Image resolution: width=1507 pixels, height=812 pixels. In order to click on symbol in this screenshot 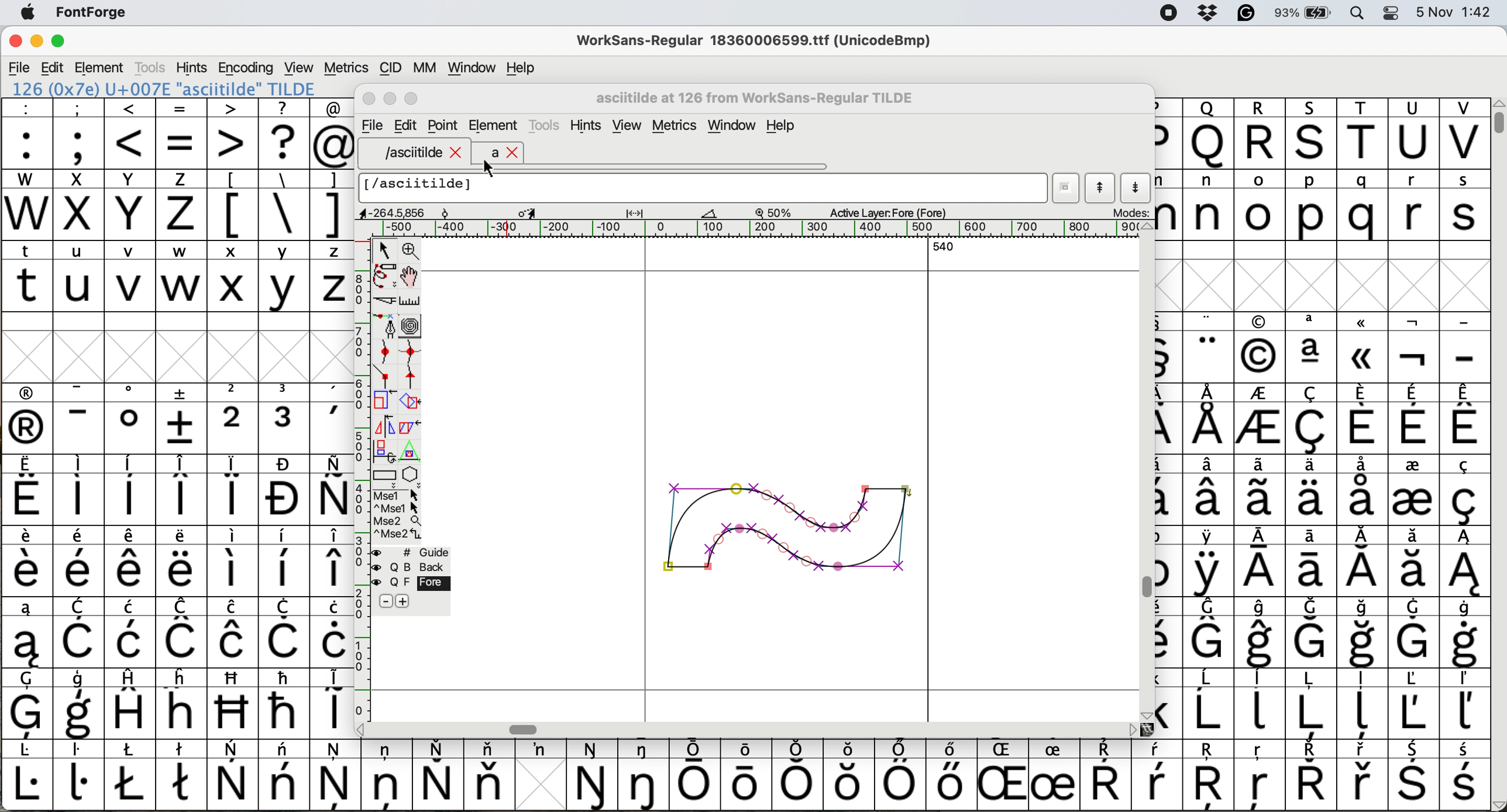, I will do `click(1310, 703)`.